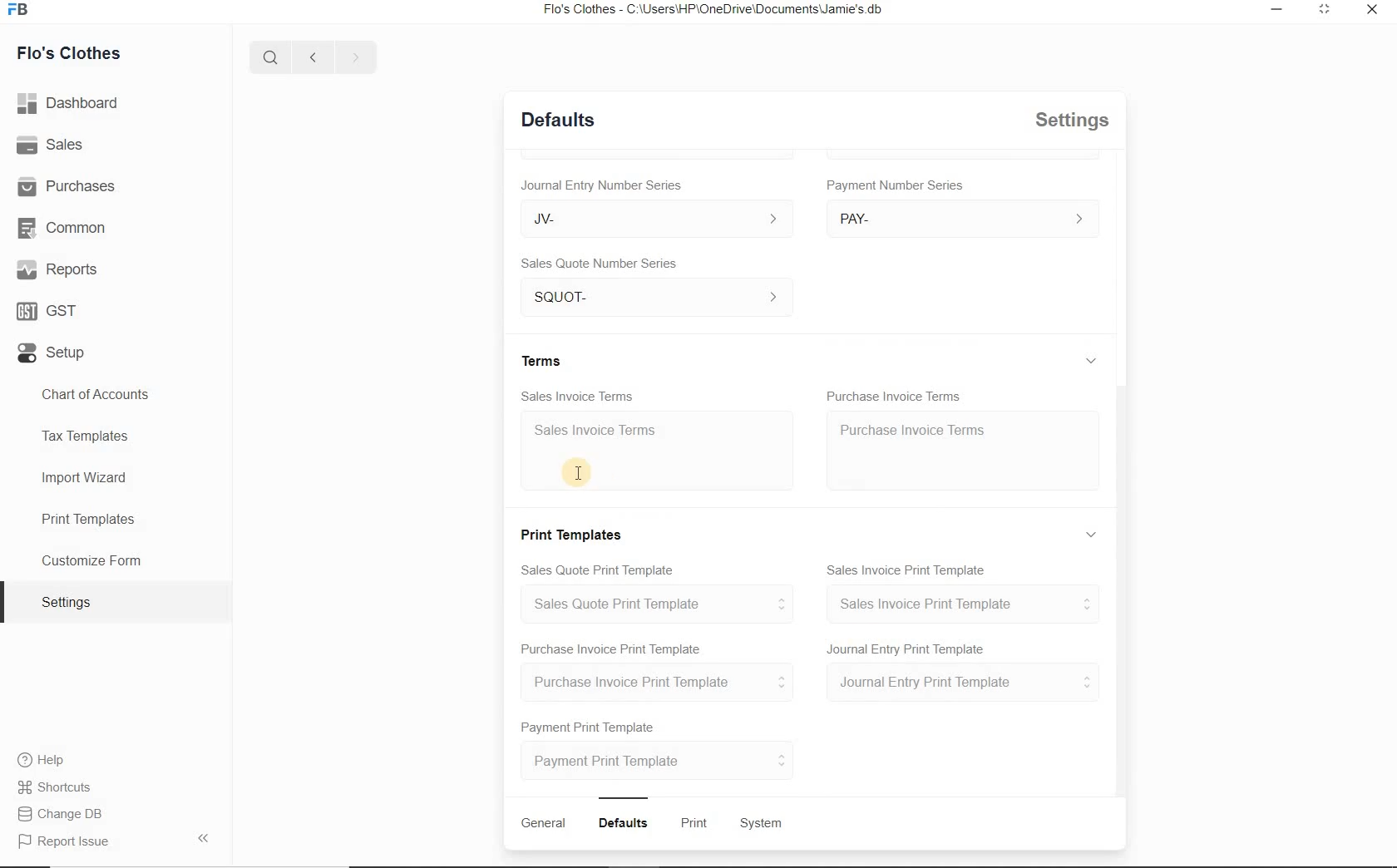 The image size is (1397, 868). Describe the element at coordinates (20, 9) in the screenshot. I see `Logo` at that location.